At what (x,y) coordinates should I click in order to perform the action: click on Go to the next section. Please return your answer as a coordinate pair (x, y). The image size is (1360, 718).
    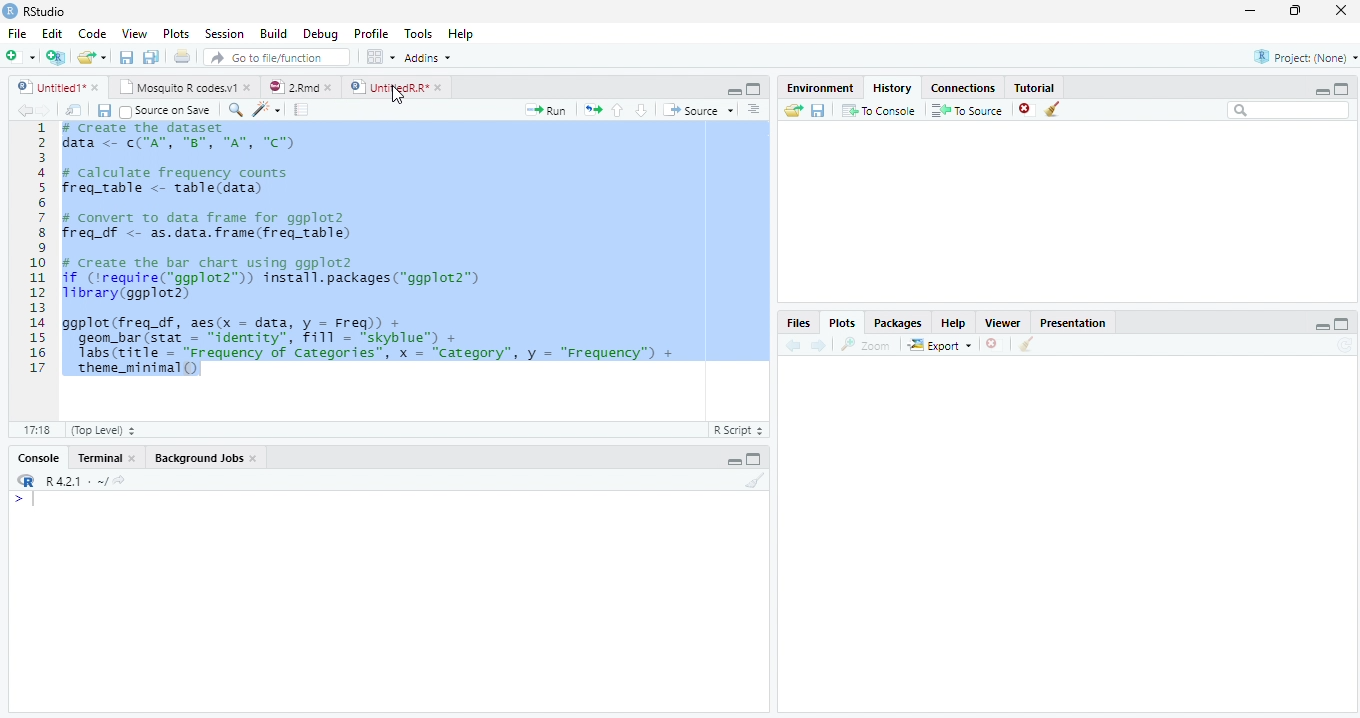
    Looking at the image, I should click on (641, 110).